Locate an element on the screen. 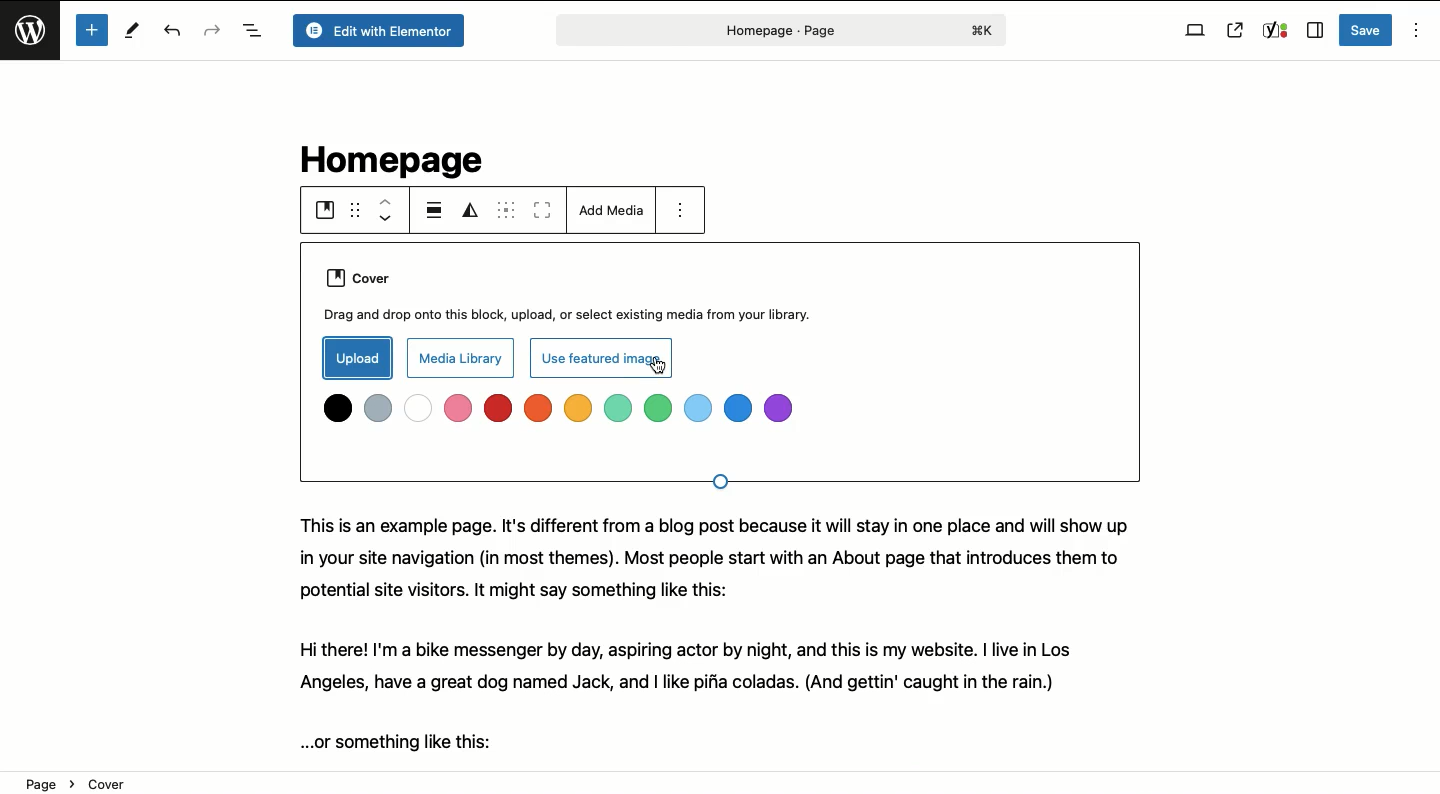 This screenshot has height=794, width=1440. View page is located at coordinates (1235, 30).